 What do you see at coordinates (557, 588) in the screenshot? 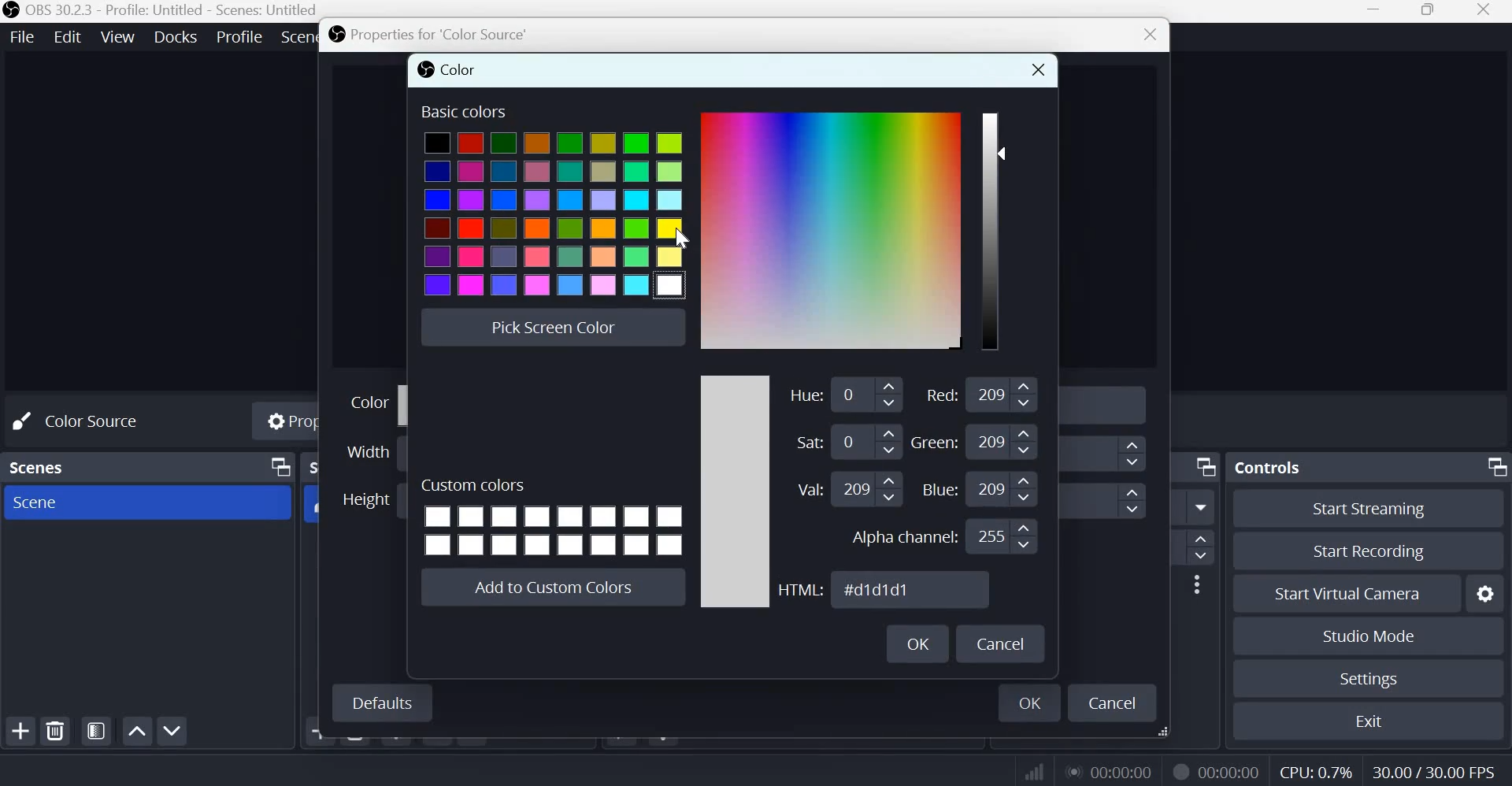
I see `Add to custom colors` at bounding box center [557, 588].